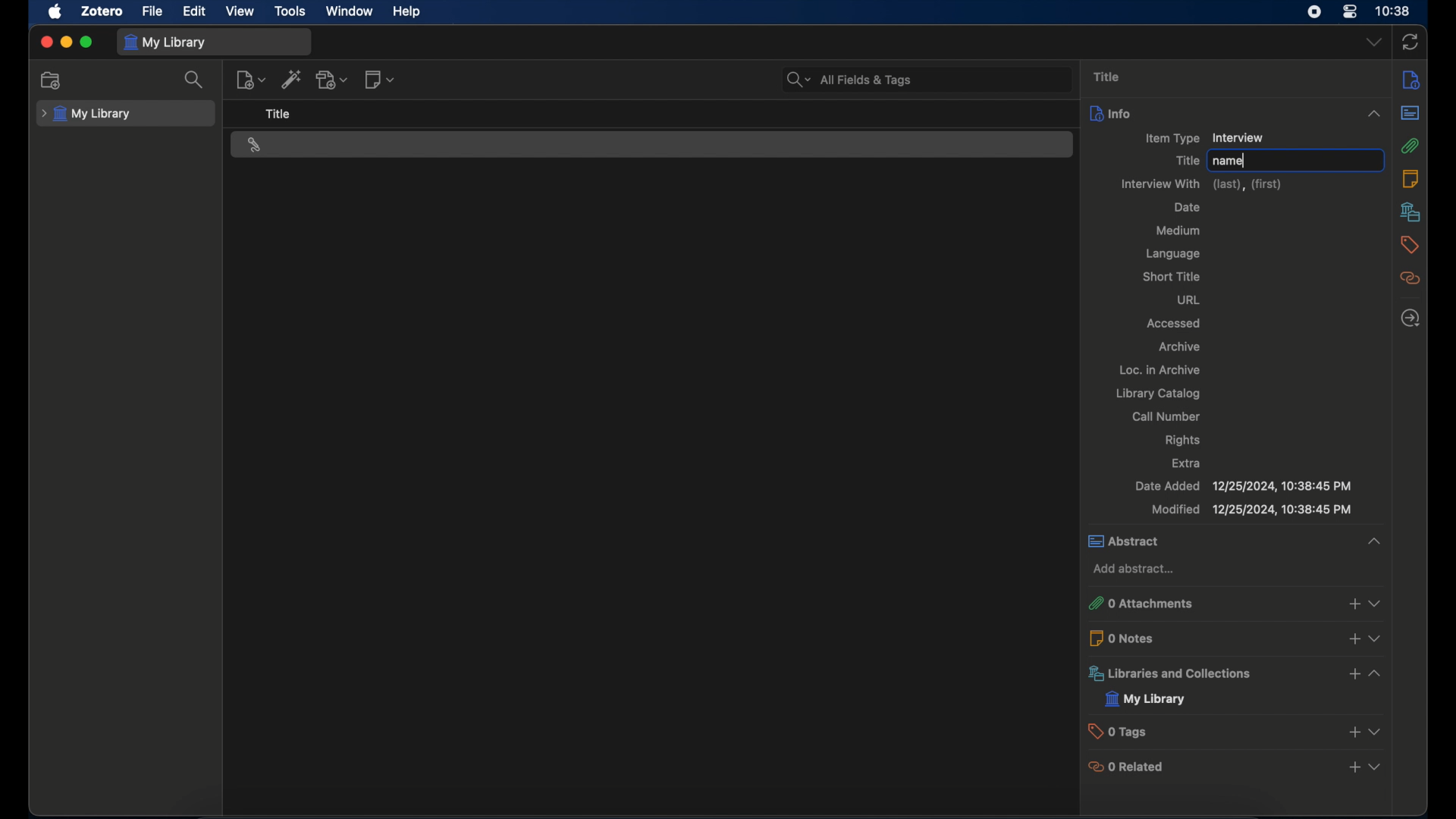 This screenshot has height=819, width=1456. Describe the element at coordinates (849, 80) in the screenshot. I see `search bar` at that location.